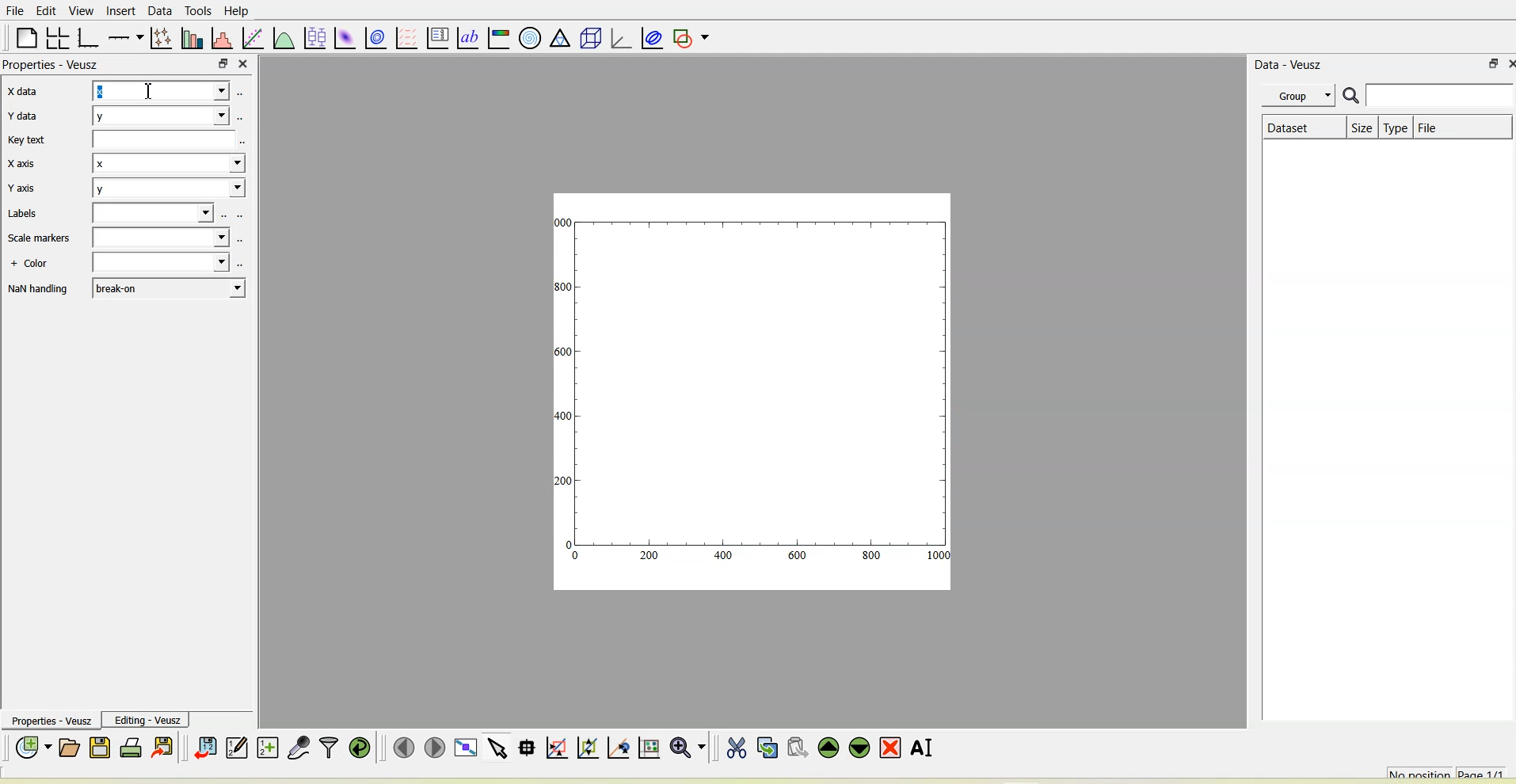 This screenshot has height=784, width=1516. What do you see at coordinates (798, 748) in the screenshot?
I see `Paste widget from the clipboard` at bounding box center [798, 748].